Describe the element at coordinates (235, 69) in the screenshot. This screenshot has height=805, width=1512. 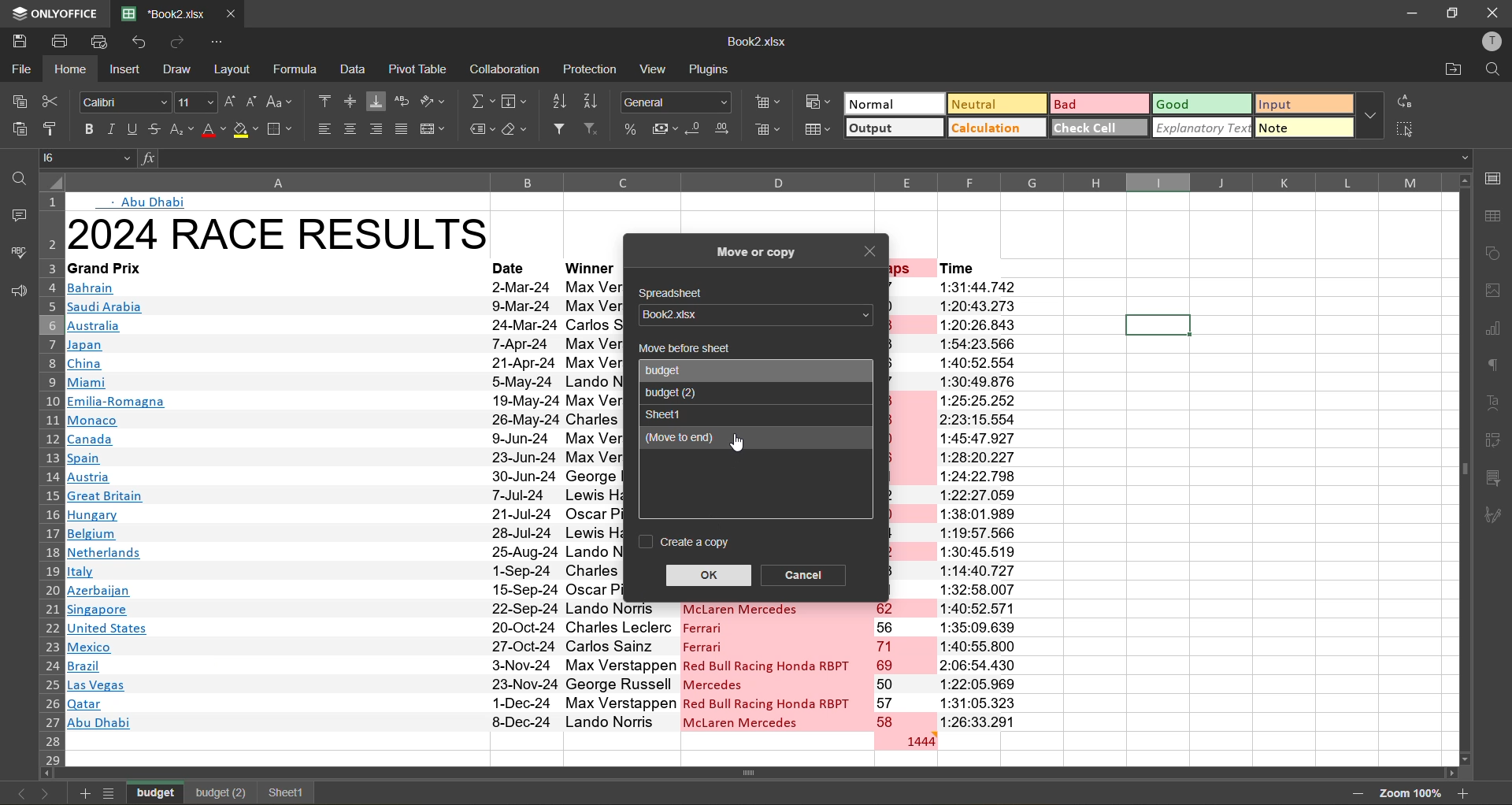
I see `layout` at that location.